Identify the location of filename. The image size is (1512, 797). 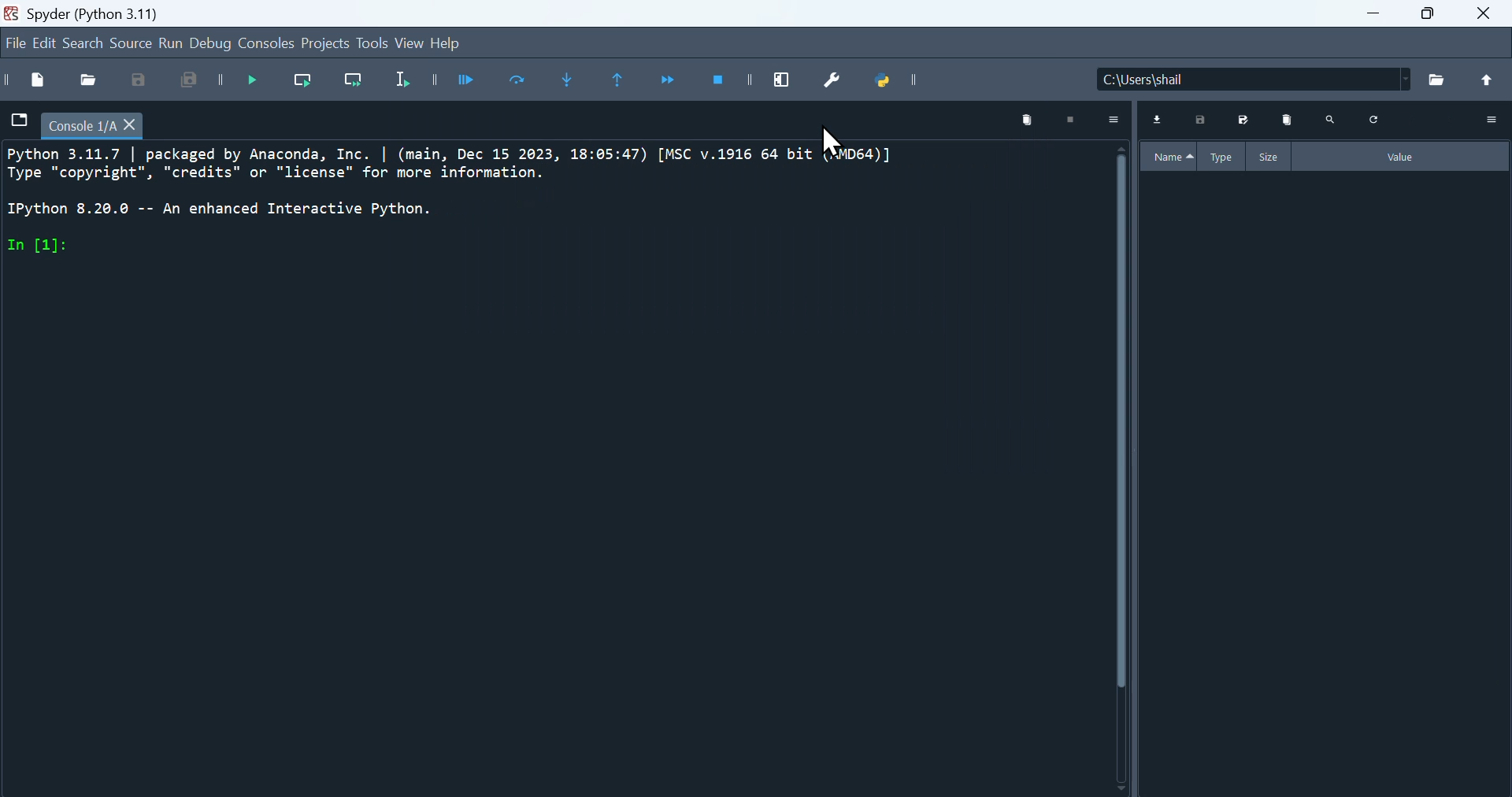
(98, 124).